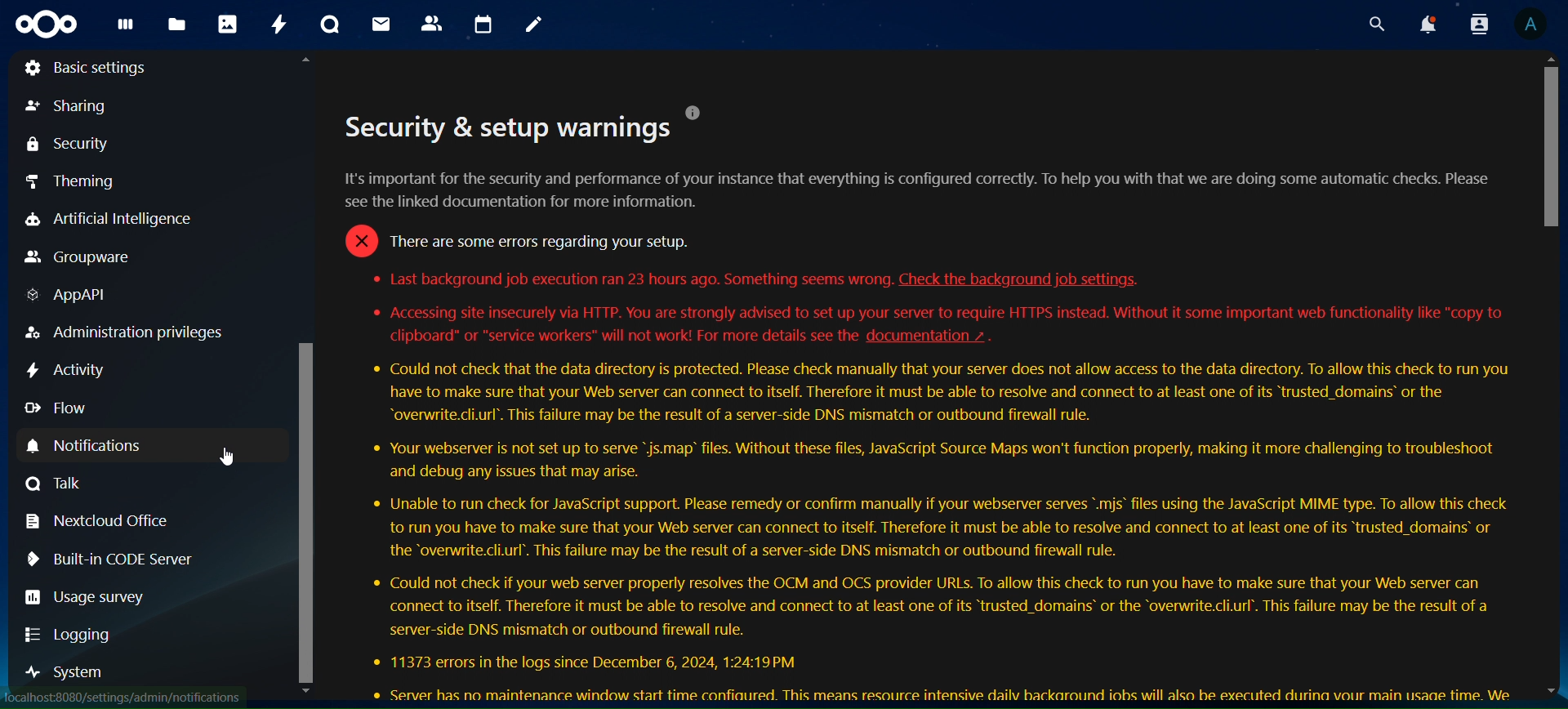  What do you see at coordinates (225, 457) in the screenshot?
I see `Cursor` at bounding box center [225, 457].